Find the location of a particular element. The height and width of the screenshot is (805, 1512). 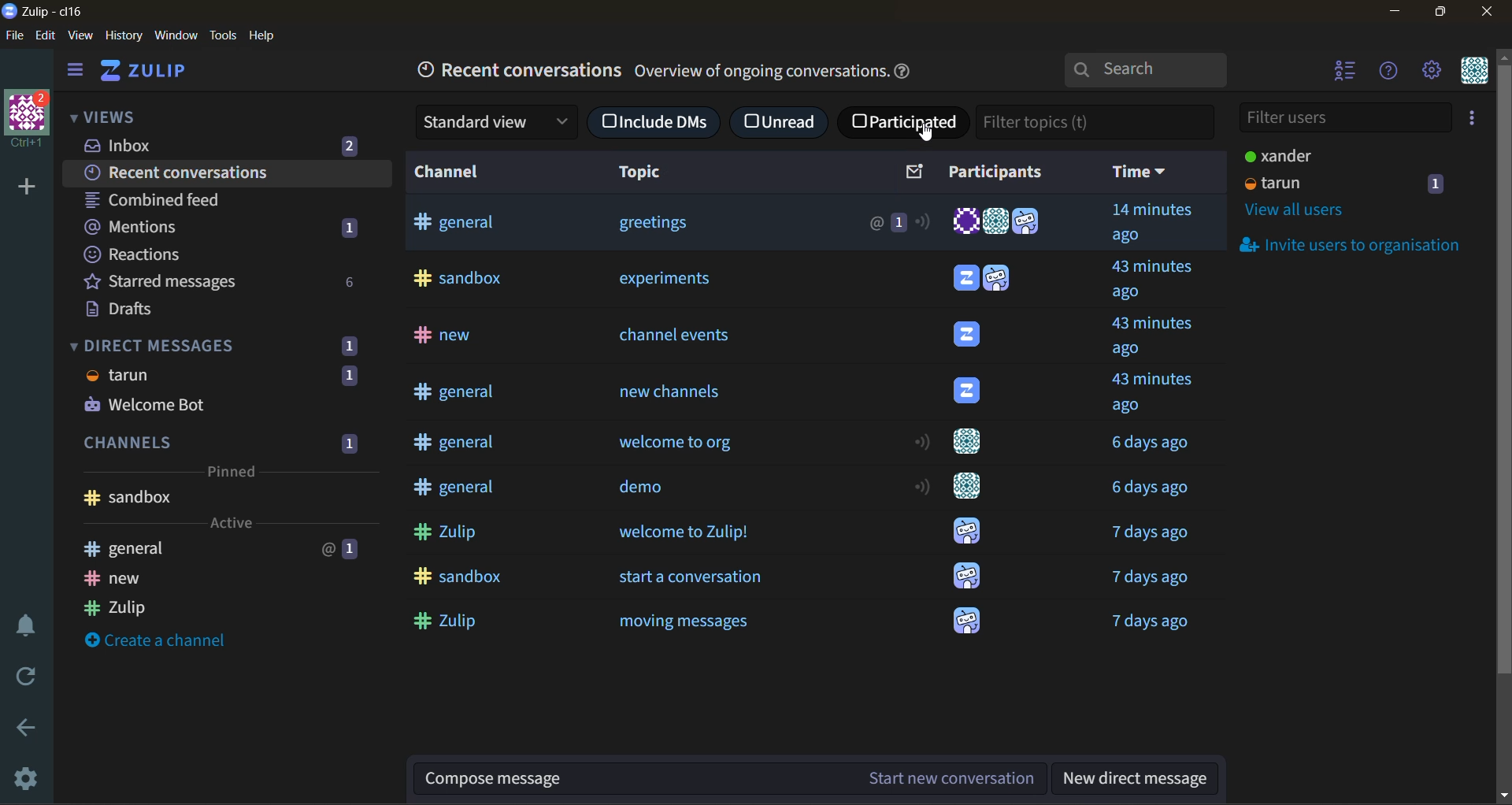

general is located at coordinates (220, 547).